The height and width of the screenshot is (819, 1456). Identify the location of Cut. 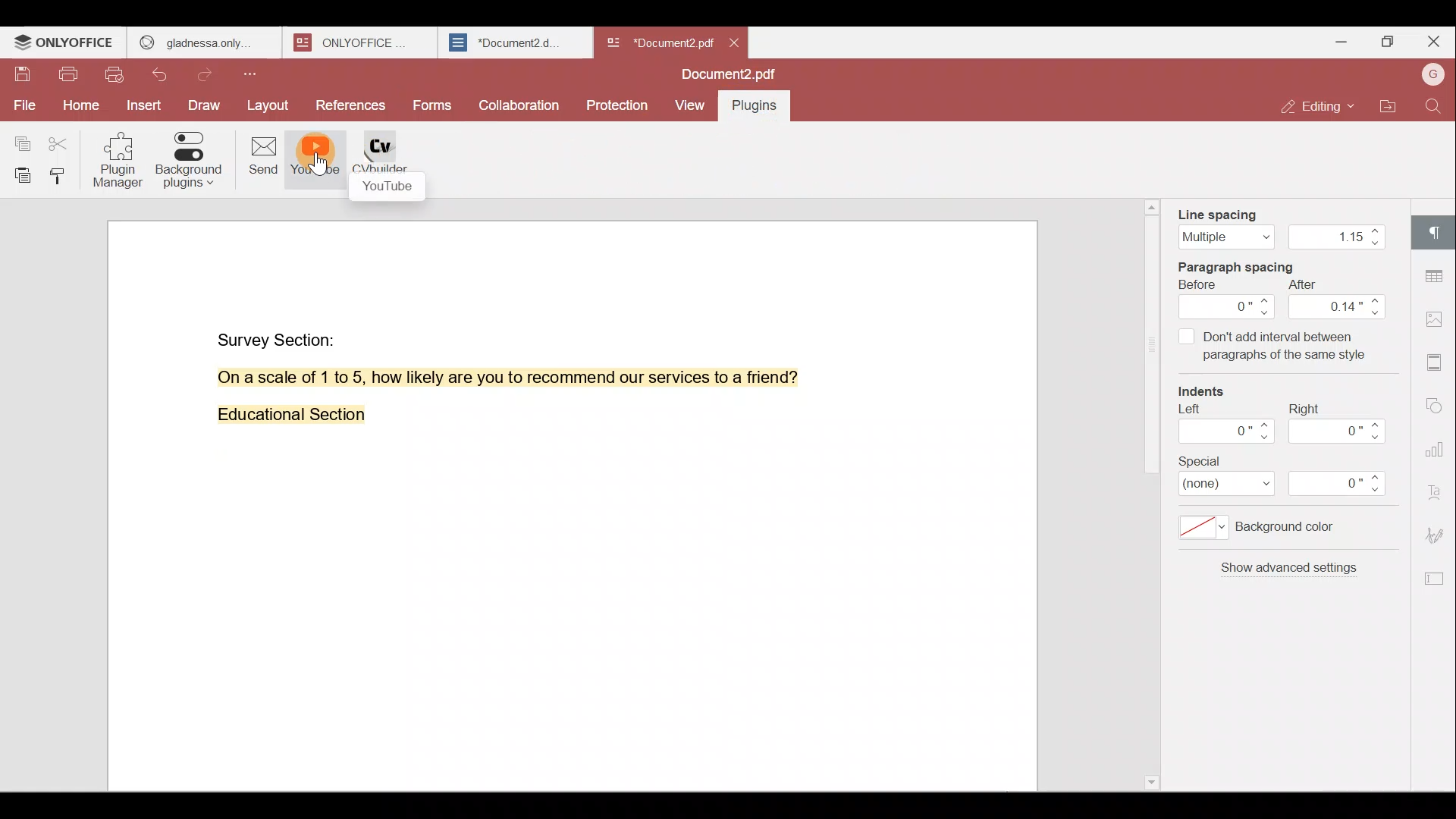
(64, 140).